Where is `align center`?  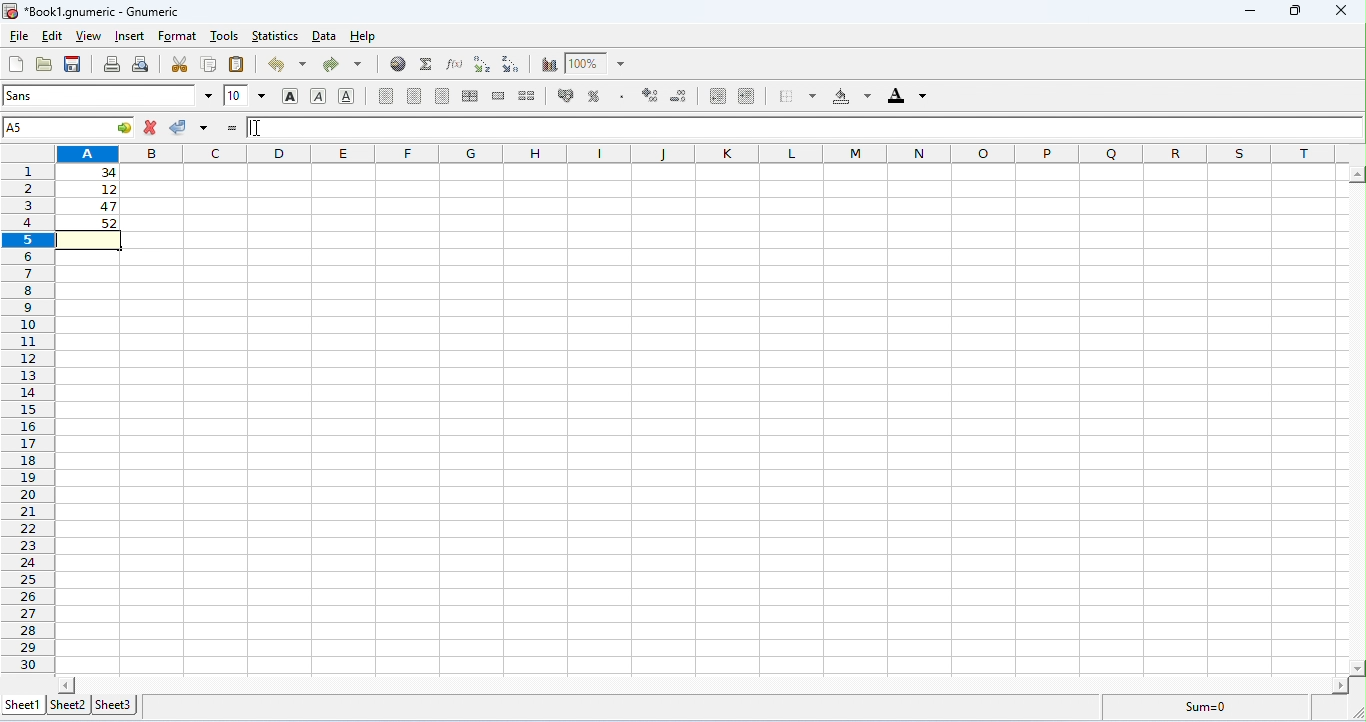 align center is located at coordinates (414, 96).